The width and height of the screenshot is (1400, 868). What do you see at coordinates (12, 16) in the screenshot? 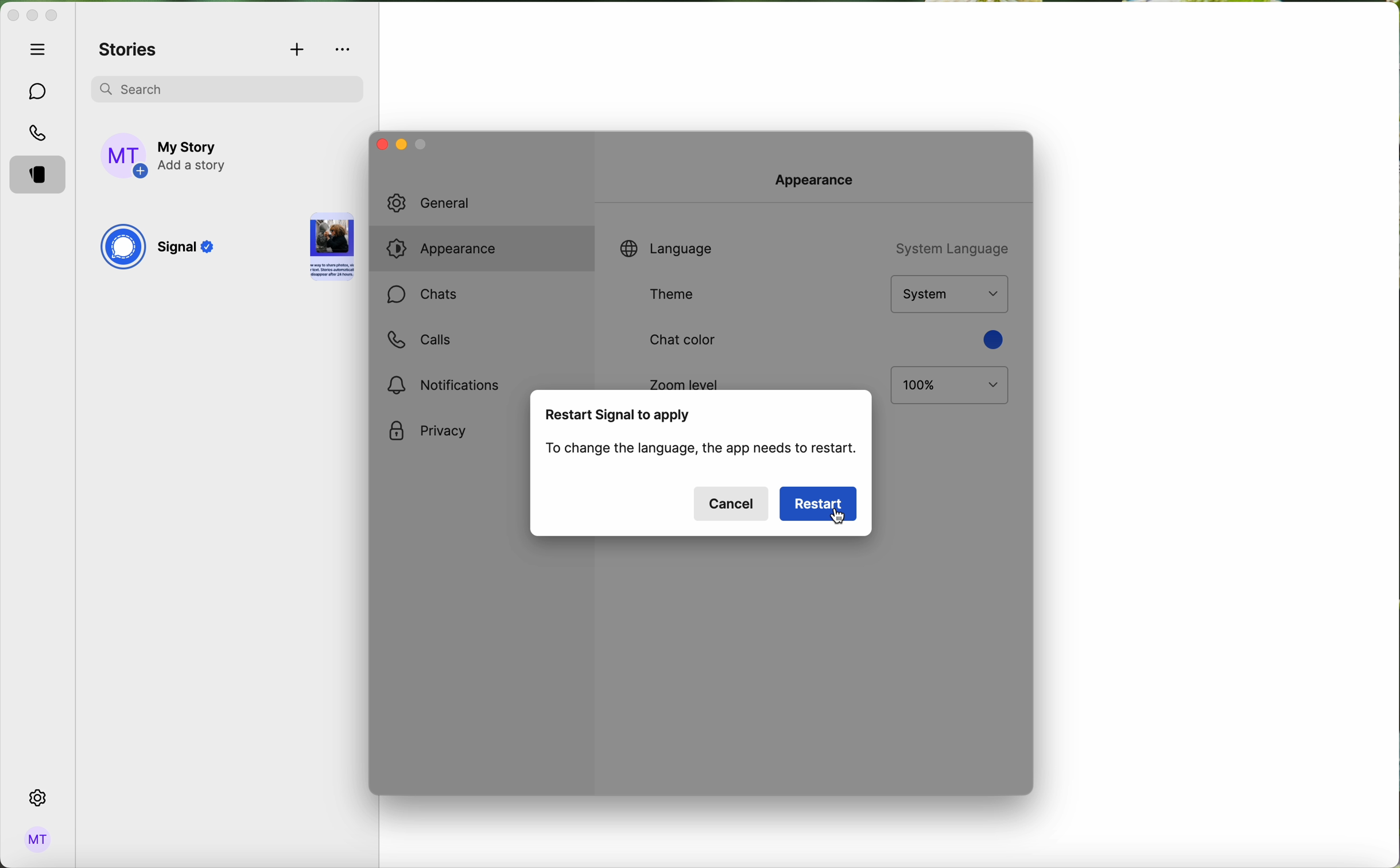
I see `close Signal` at bounding box center [12, 16].